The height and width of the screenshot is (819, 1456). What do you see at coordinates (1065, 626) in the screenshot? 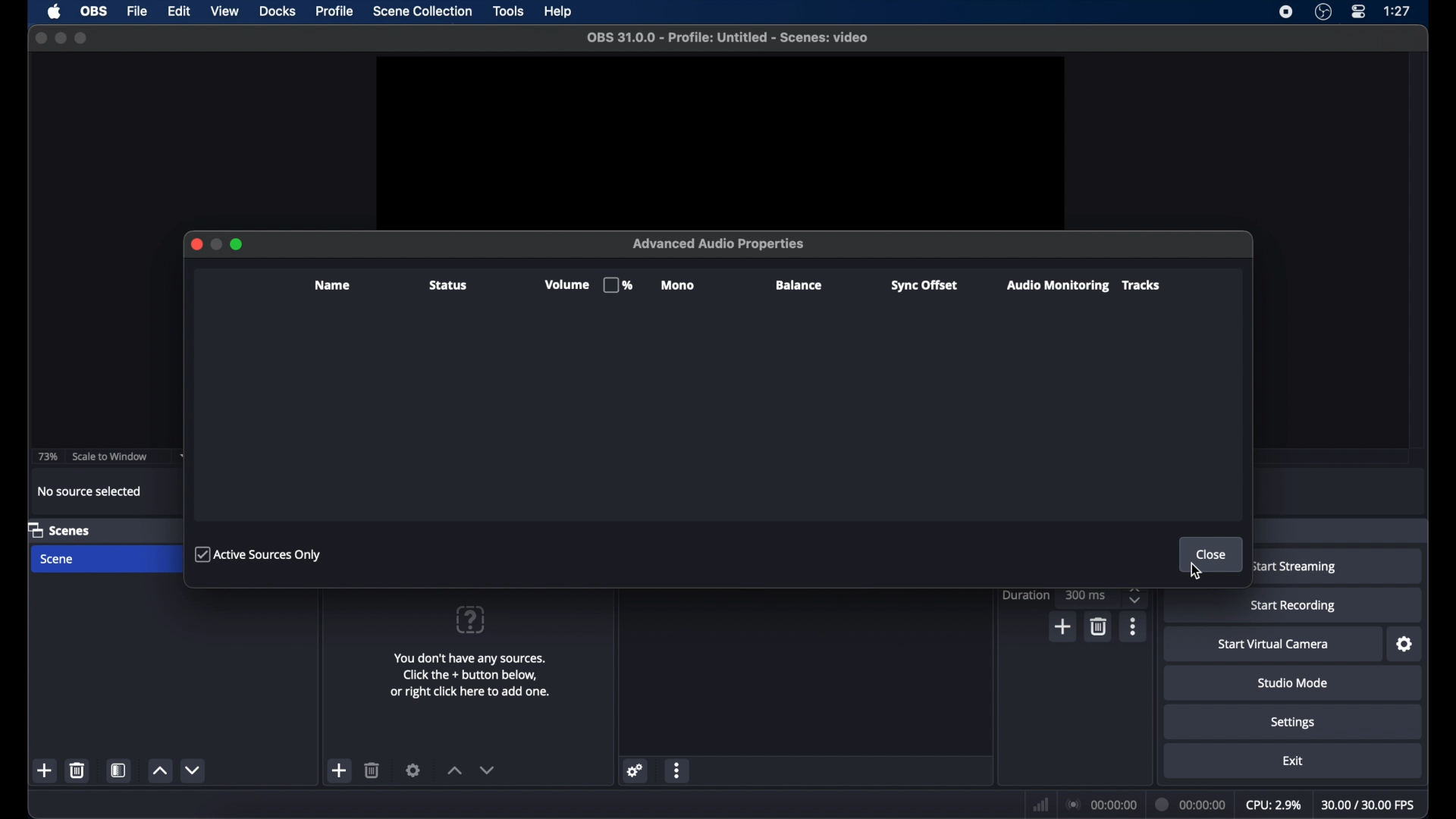
I see `add` at bounding box center [1065, 626].